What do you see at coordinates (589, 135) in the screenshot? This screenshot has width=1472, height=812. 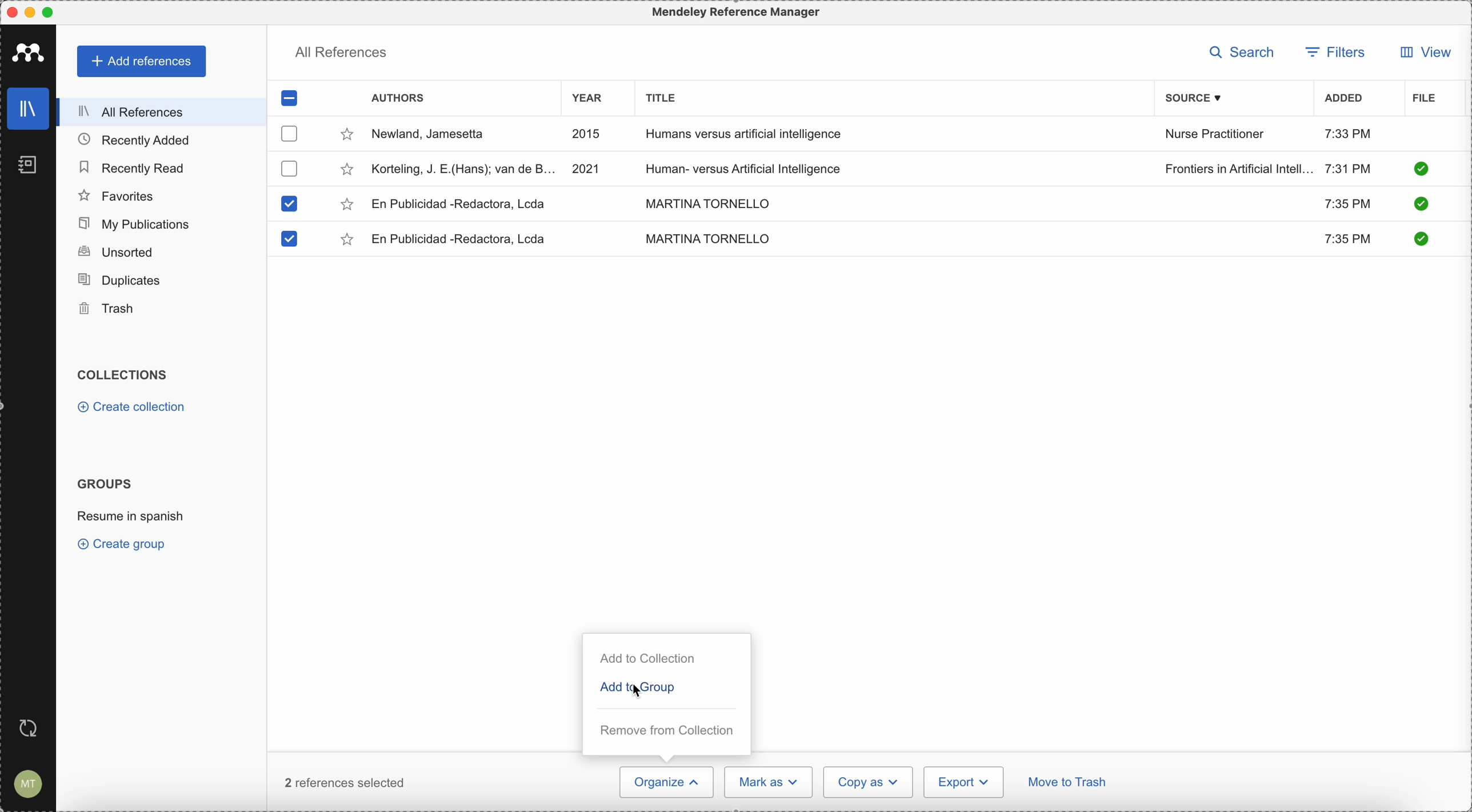 I see `2015` at bounding box center [589, 135].